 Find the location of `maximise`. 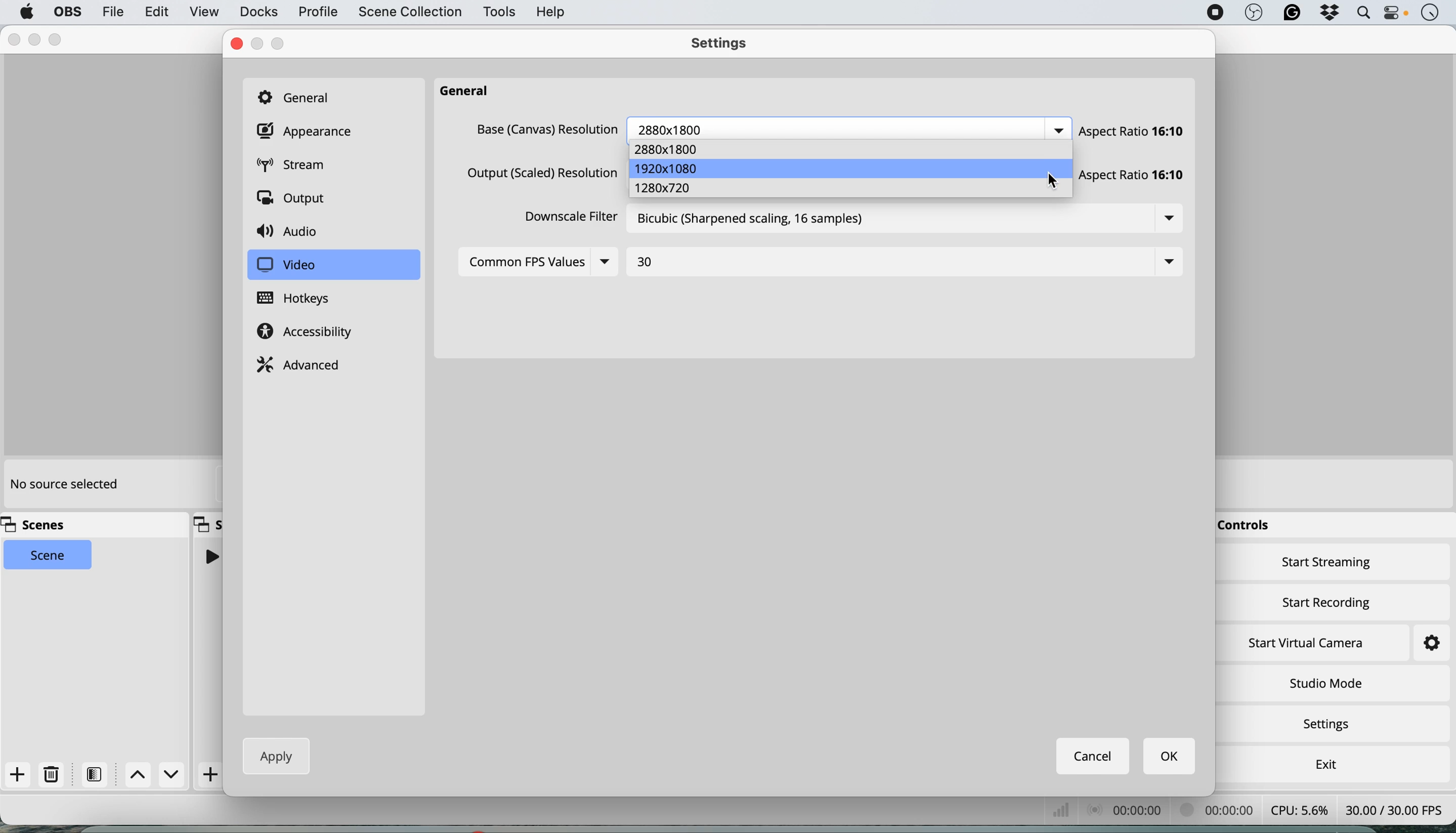

maximise is located at coordinates (58, 38).